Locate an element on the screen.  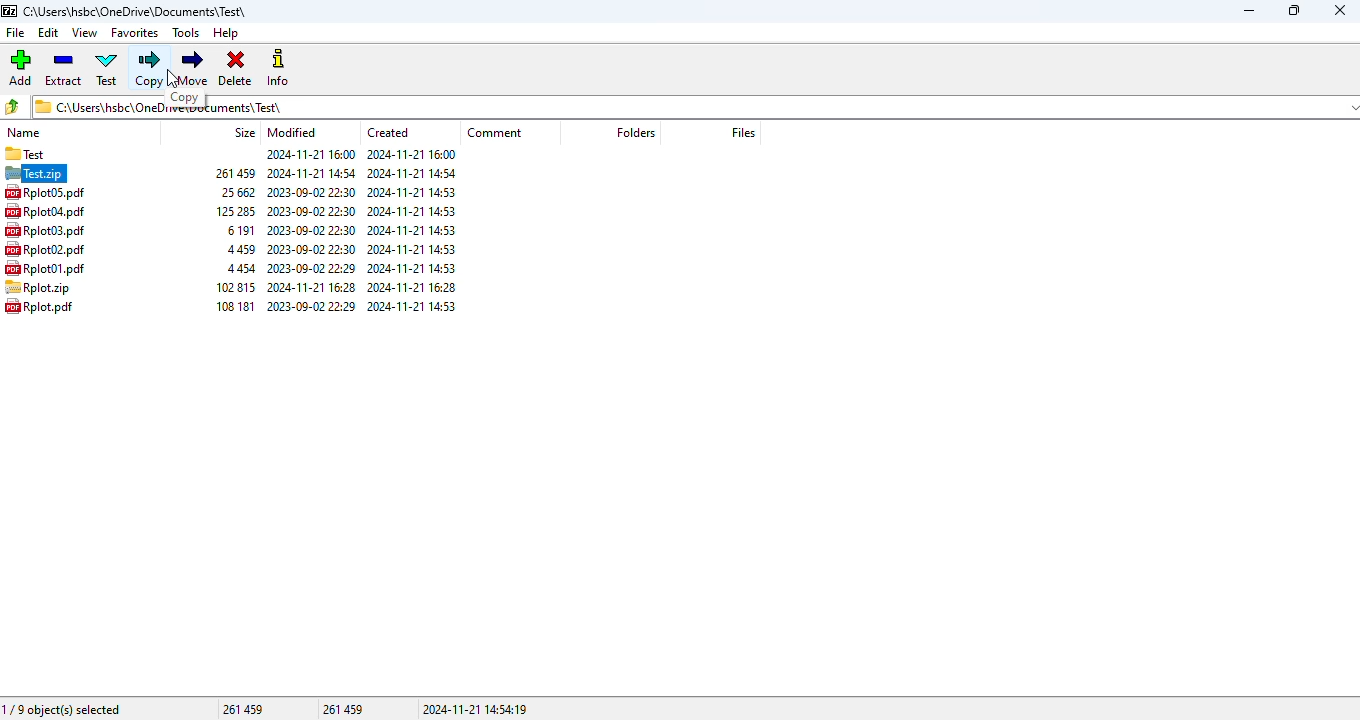
261 459 is located at coordinates (243, 709).